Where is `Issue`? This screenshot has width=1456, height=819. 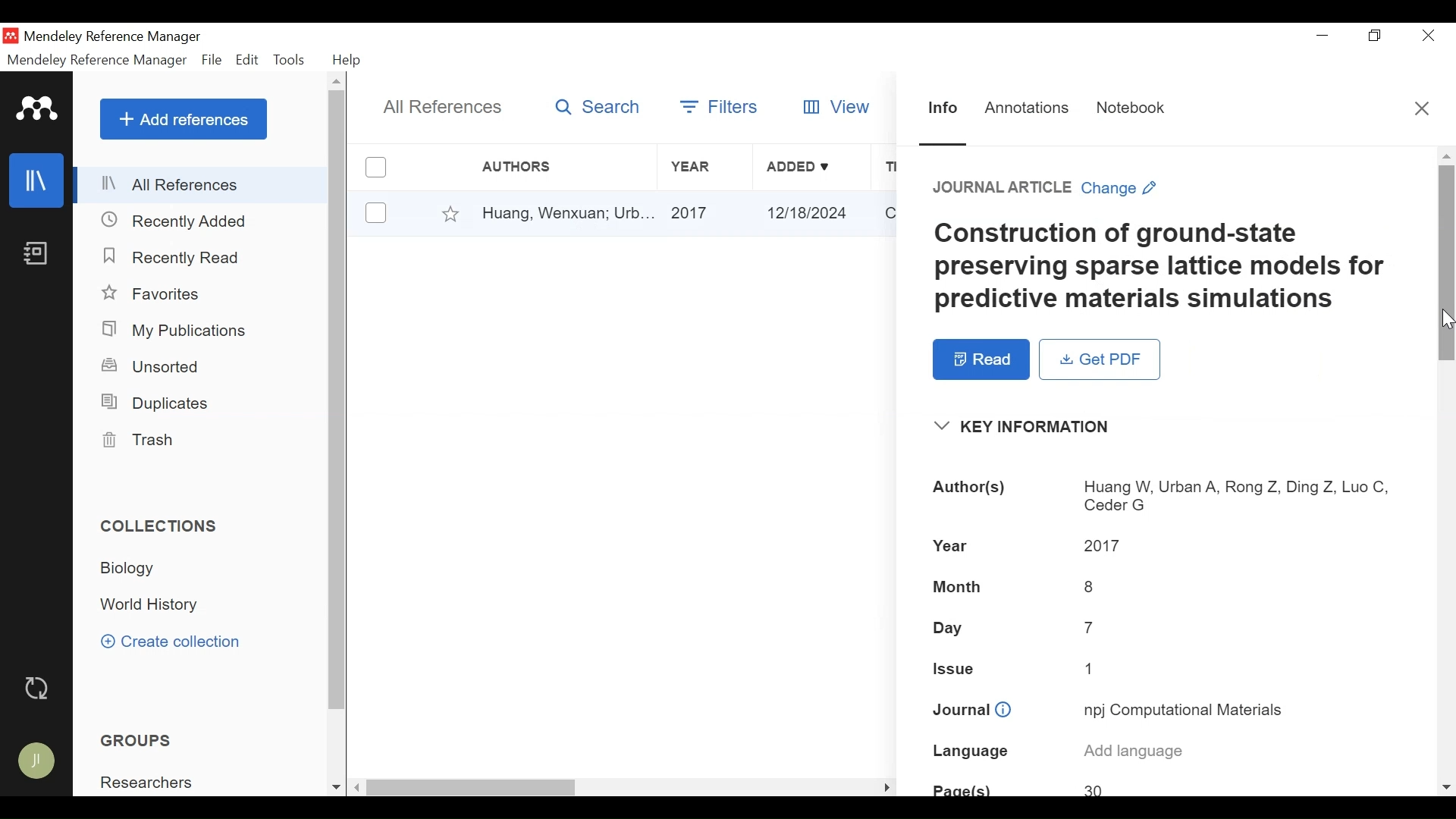
Issue is located at coordinates (956, 669).